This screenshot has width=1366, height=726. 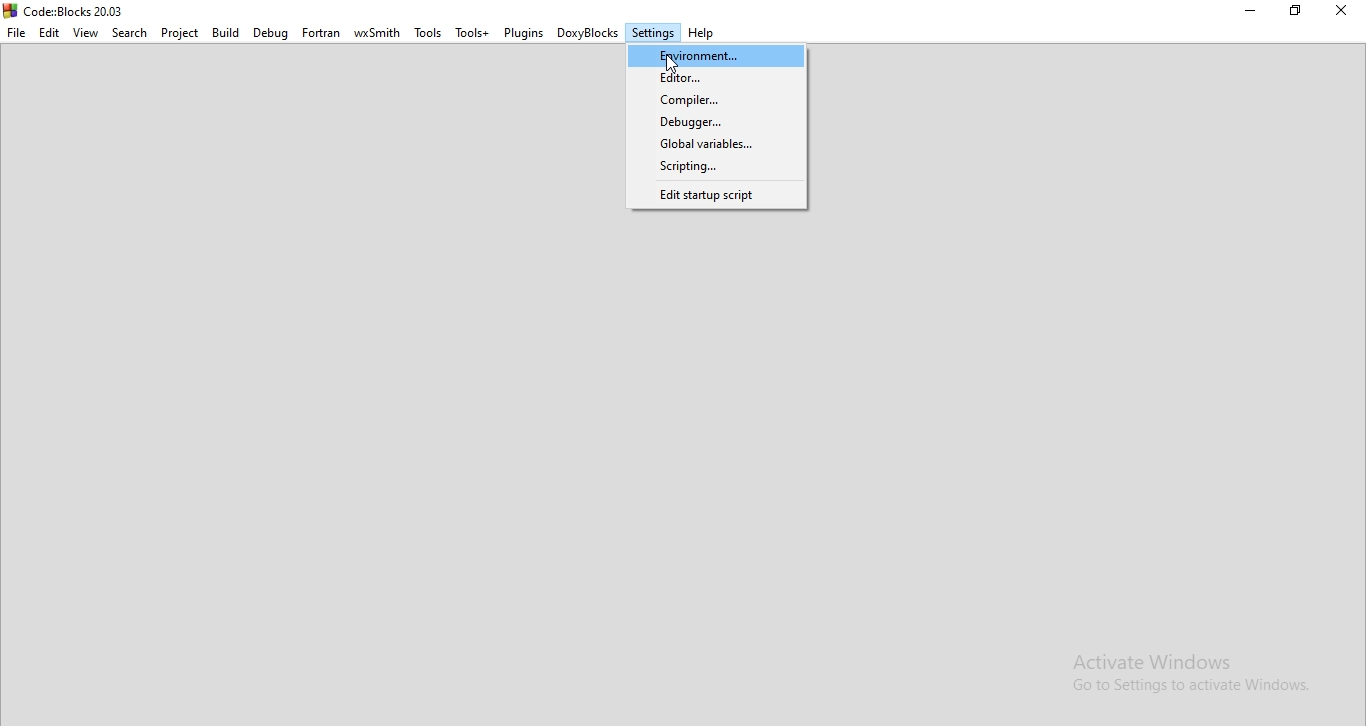 What do you see at coordinates (713, 55) in the screenshot?
I see `Environment` at bounding box center [713, 55].